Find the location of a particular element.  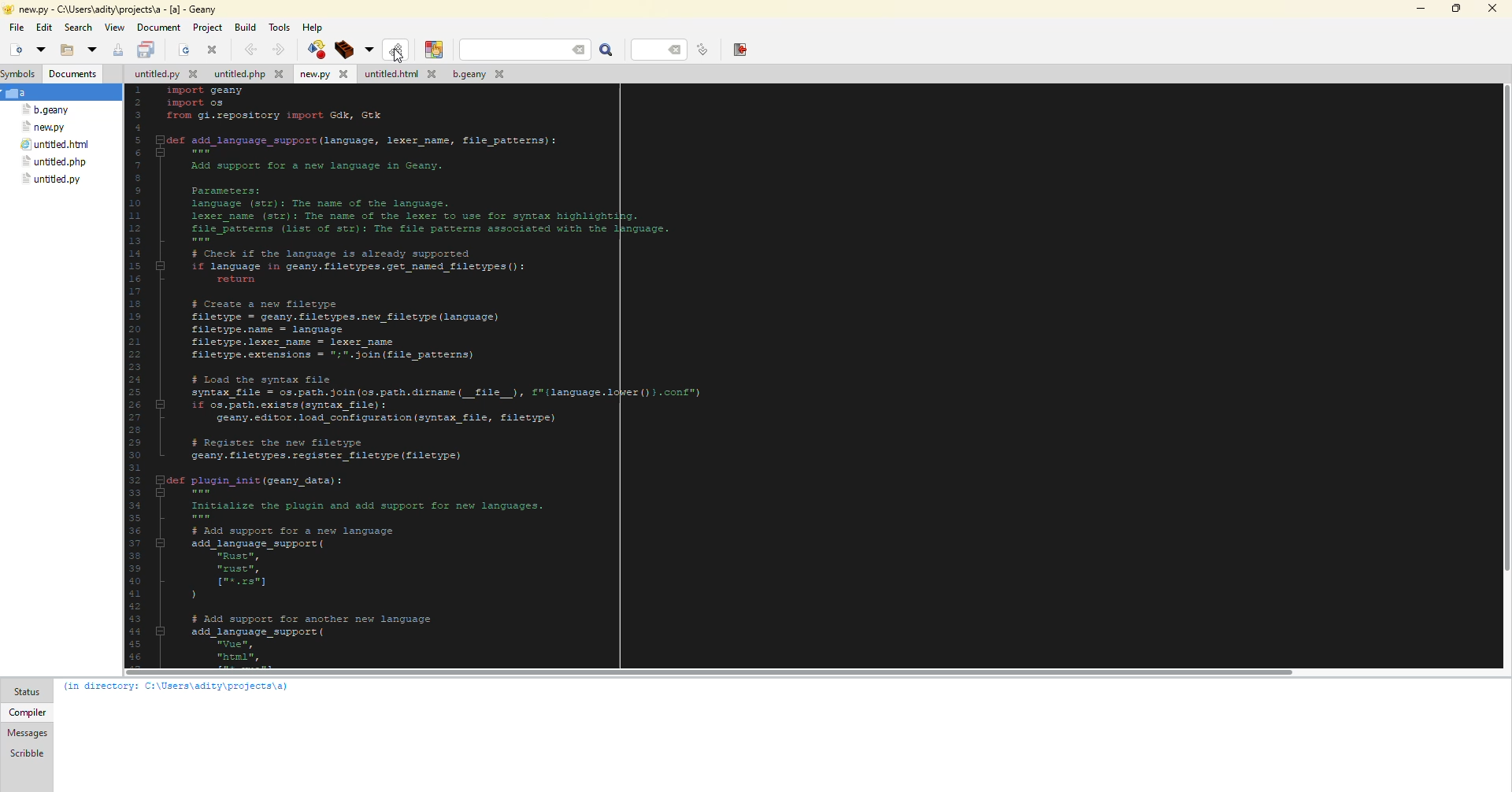

edit is located at coordinates (45, 28).